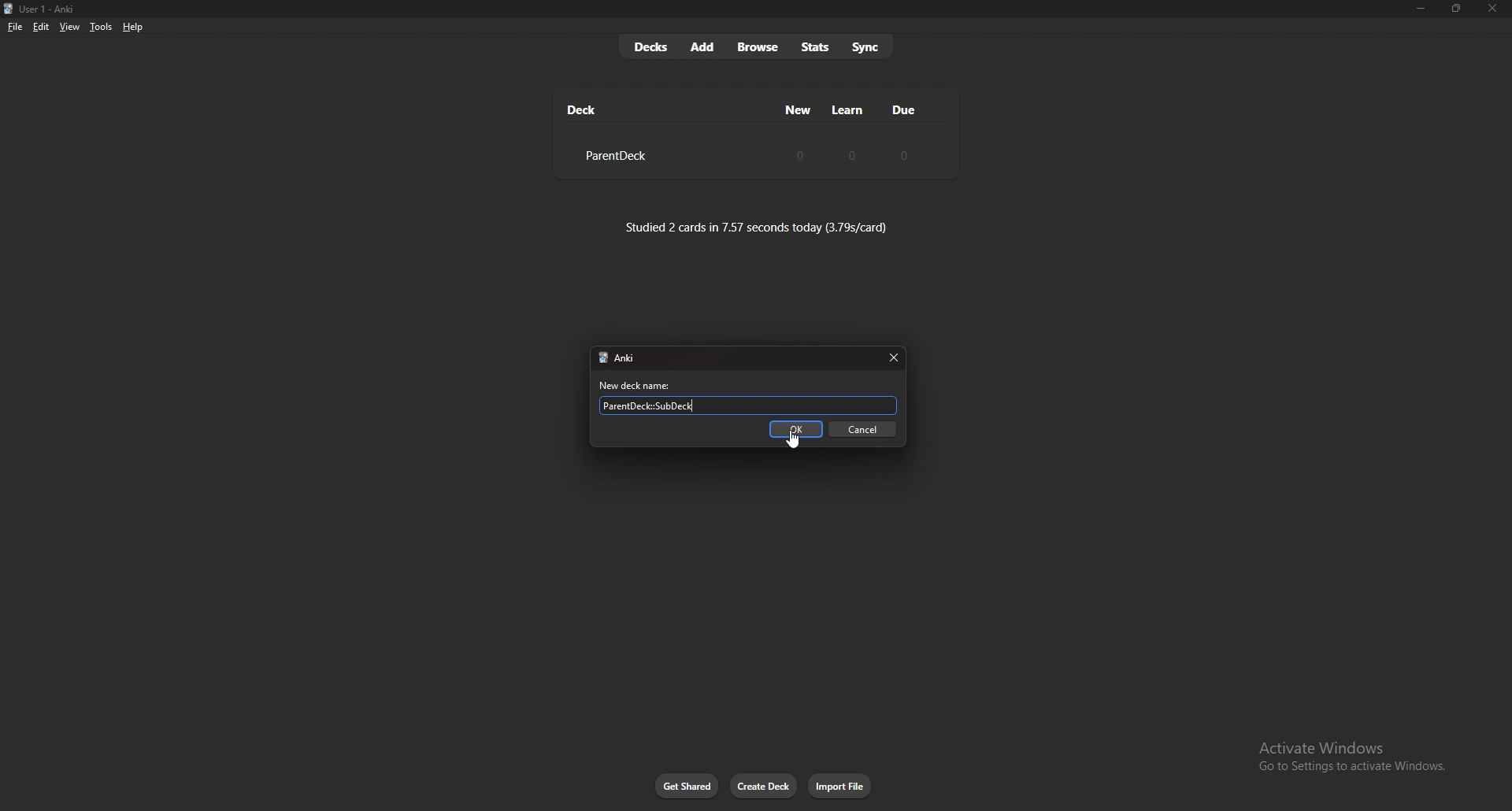 This screenshot has height=811, width=1512. I want to click on help, so click(132, 28).